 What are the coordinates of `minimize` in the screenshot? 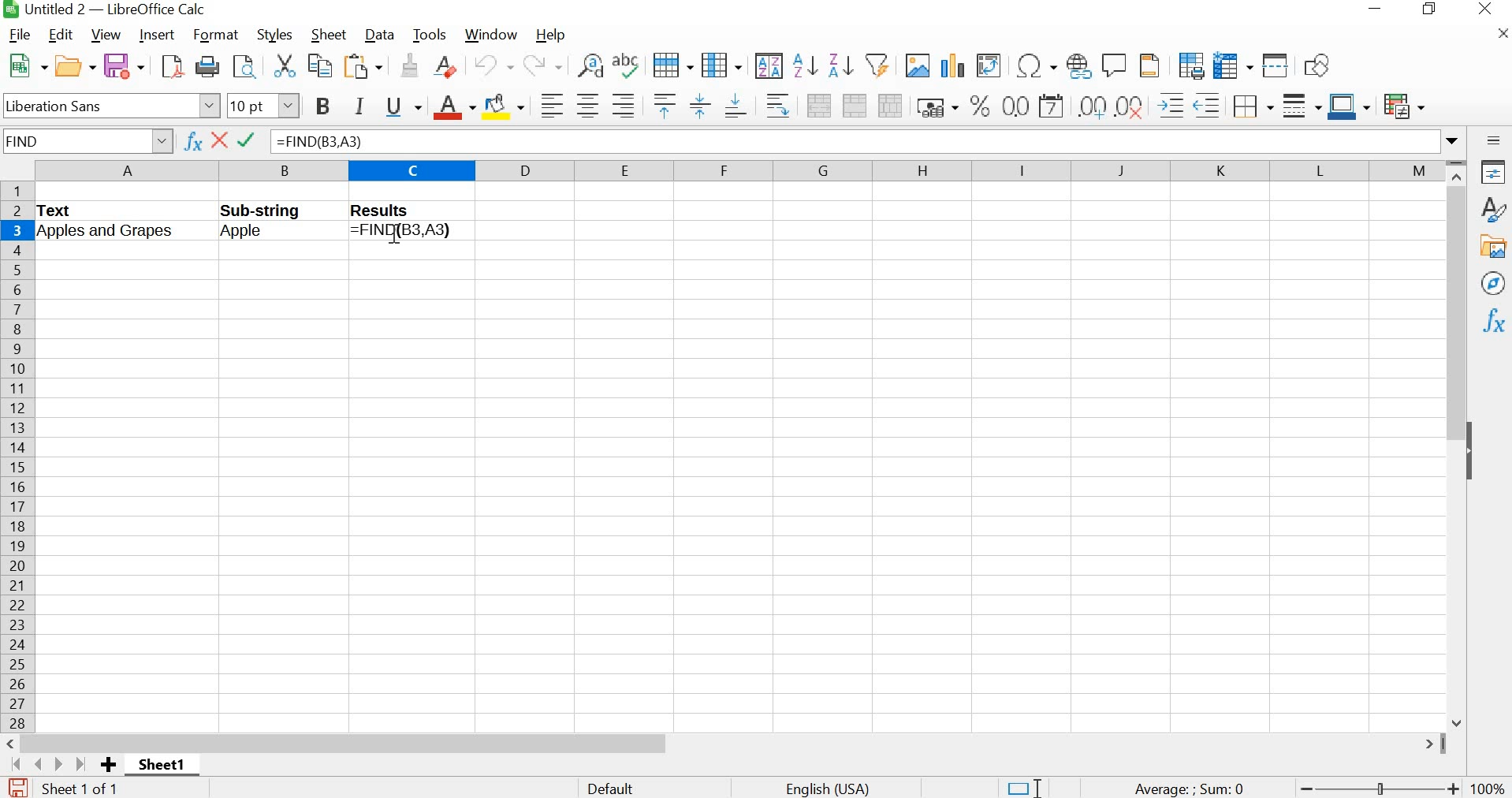 It's located at (1377, 9).